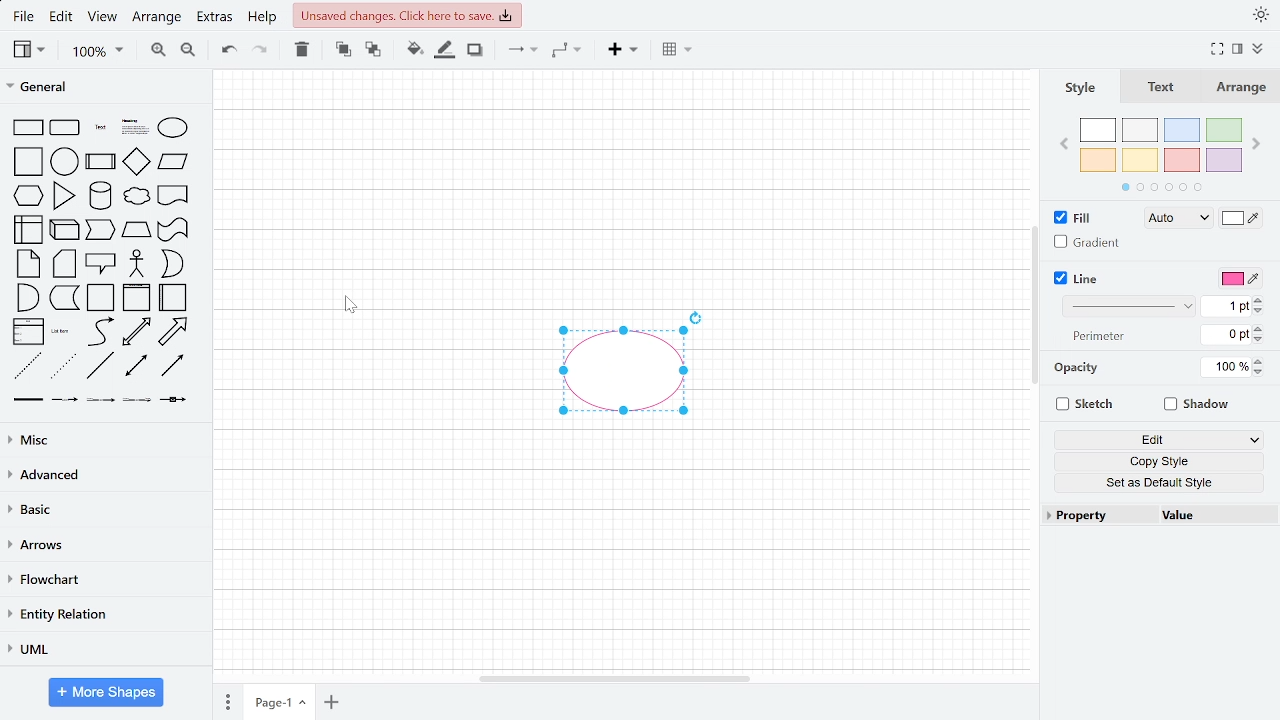  What do you see at coordinates (1162, 188) in the screenshot?
I see `pages in color` at bounding box center [1162, 188].